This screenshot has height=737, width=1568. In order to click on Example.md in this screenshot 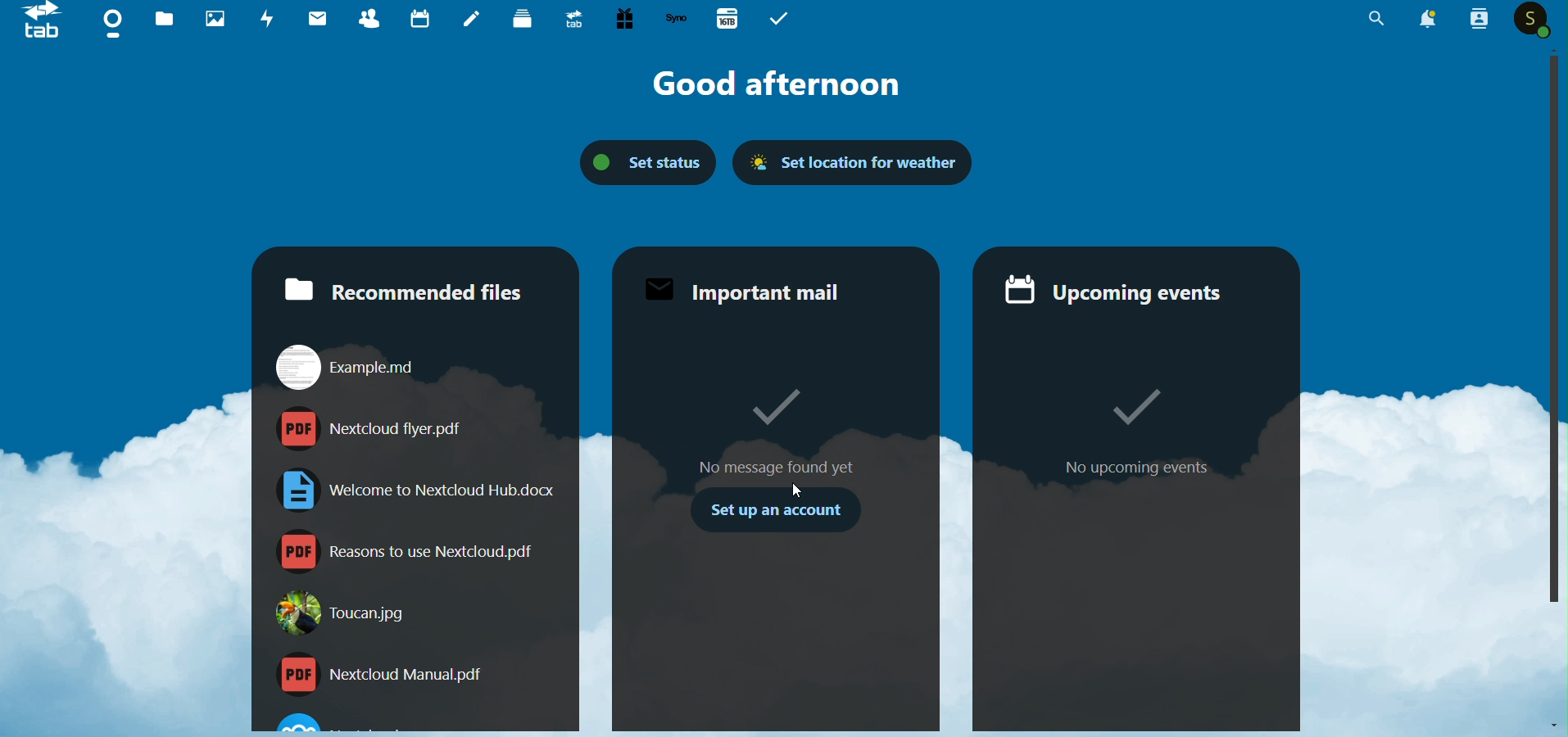, I will do `click(343, 365)`.